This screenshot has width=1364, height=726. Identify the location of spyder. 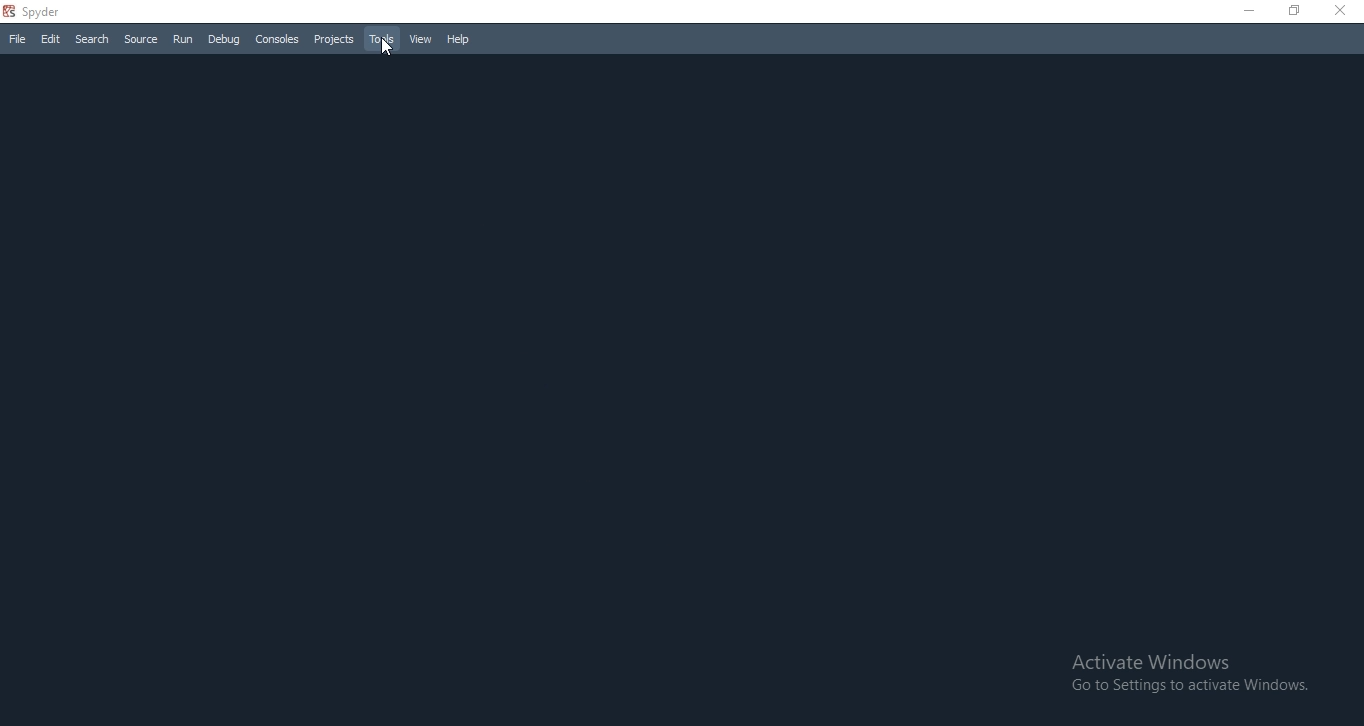
(49, 12).